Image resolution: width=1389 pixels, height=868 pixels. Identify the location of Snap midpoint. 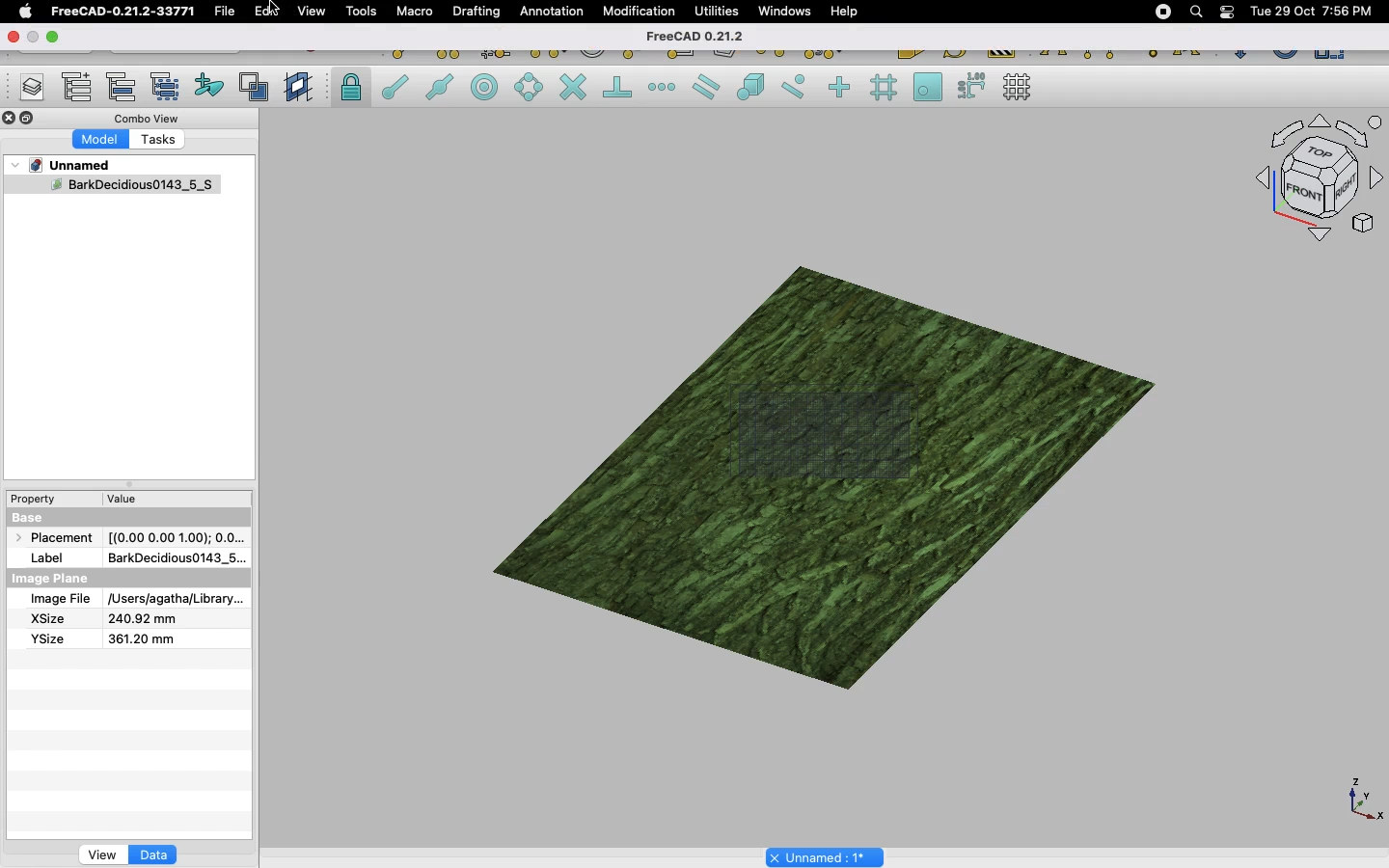
(441, 90).